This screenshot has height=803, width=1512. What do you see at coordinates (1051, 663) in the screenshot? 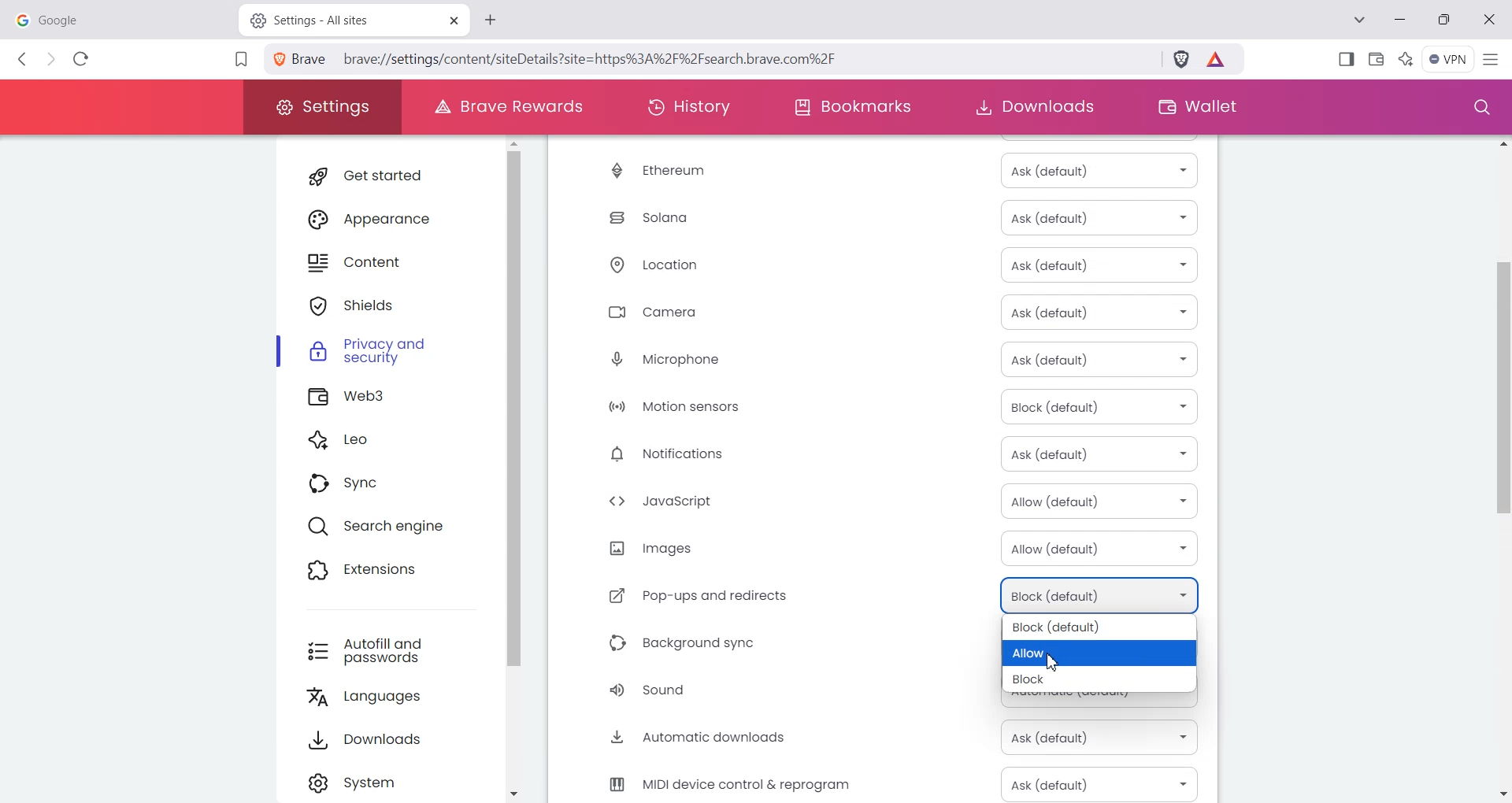
I see `Cursor` at bounding box center [1051, 663].